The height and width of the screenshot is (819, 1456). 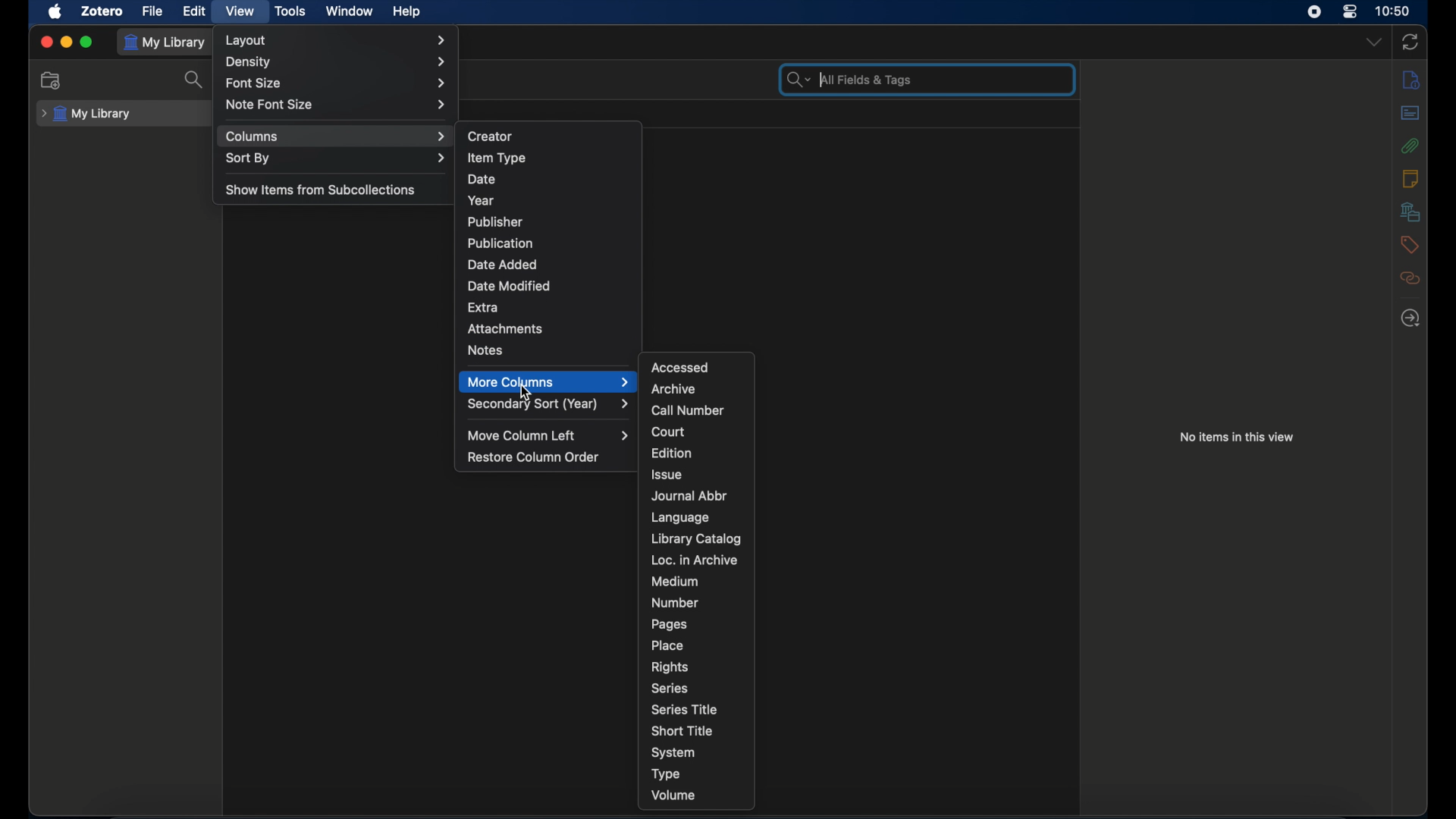 I want to click on density, so click(x=335, y=62).